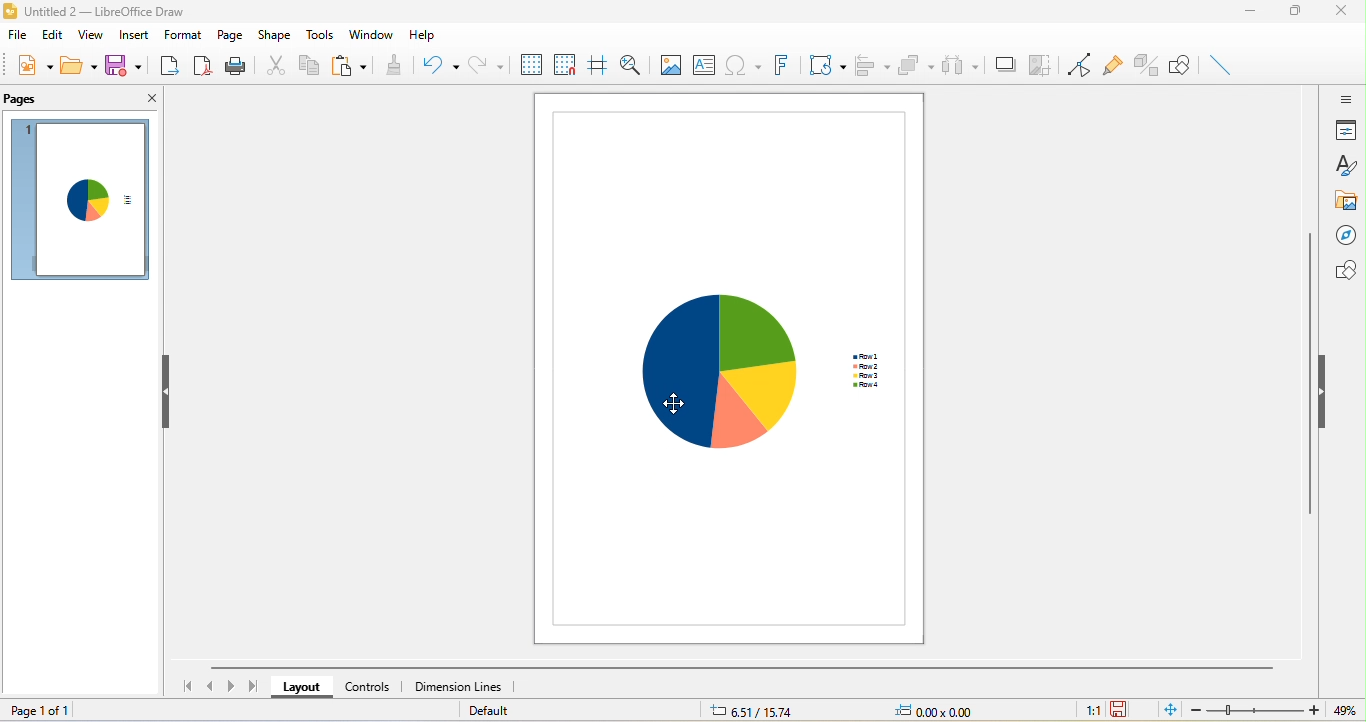 The height and width of the screenshot is (722, 1366). Describe the element at coordinates (756, 712) in the screenshot. I see `cursor position-6.51/15.74` at that location.